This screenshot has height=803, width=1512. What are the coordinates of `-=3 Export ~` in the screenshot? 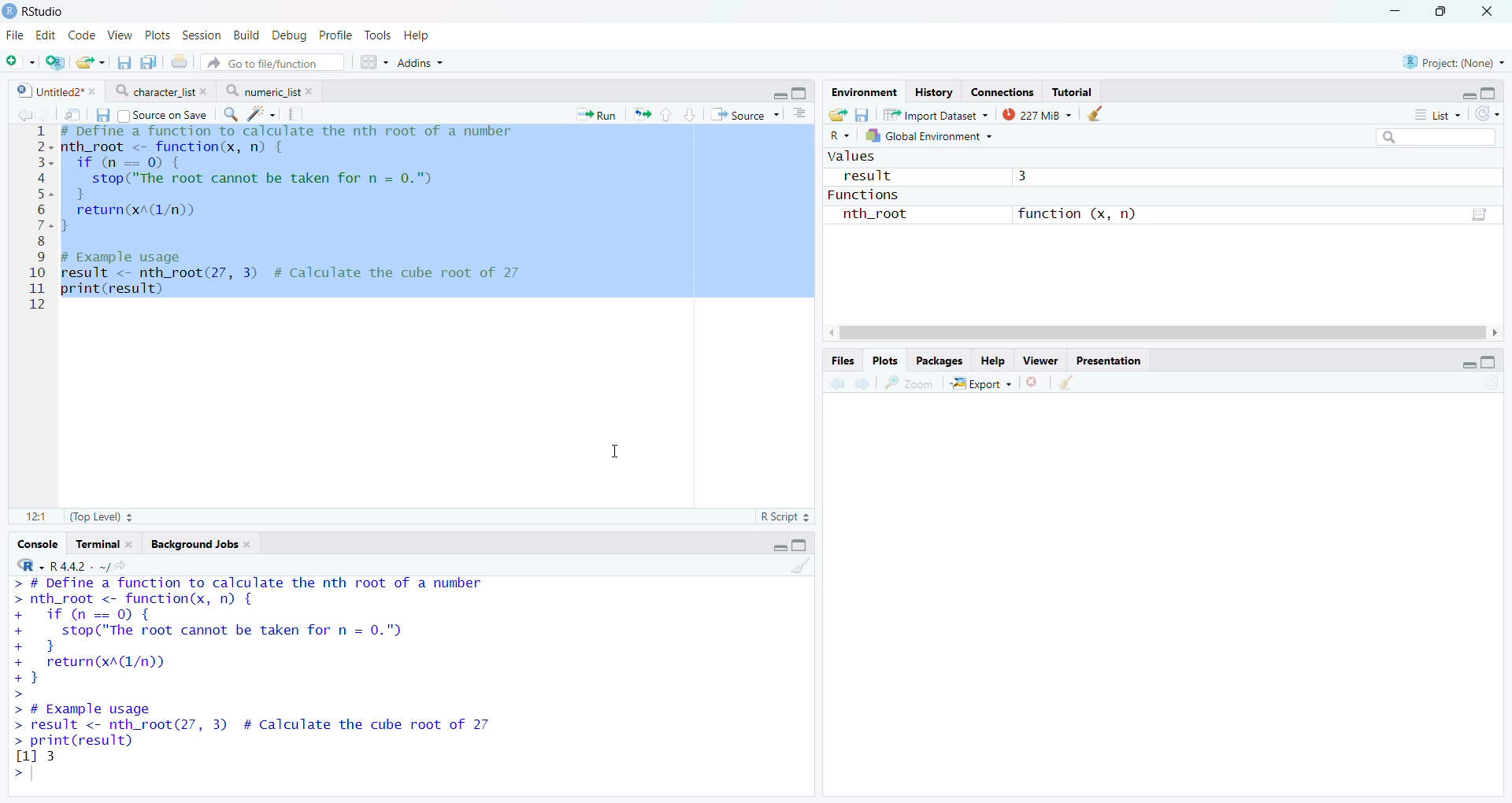 It's located at (980, 384).